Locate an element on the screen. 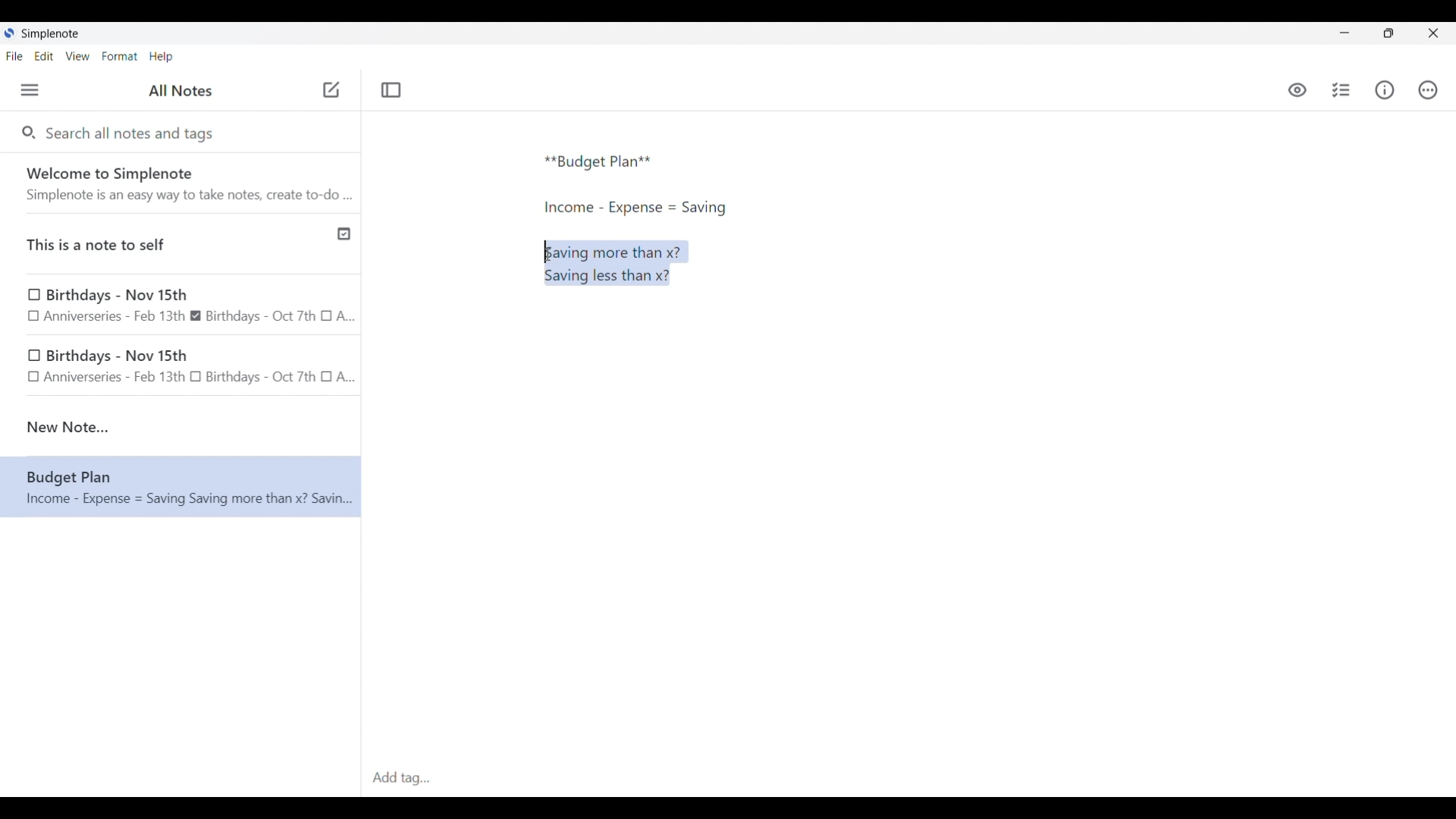 The width and height of the screenshot is (1456, 819). Close interface is located at coordinates (1433, 33).